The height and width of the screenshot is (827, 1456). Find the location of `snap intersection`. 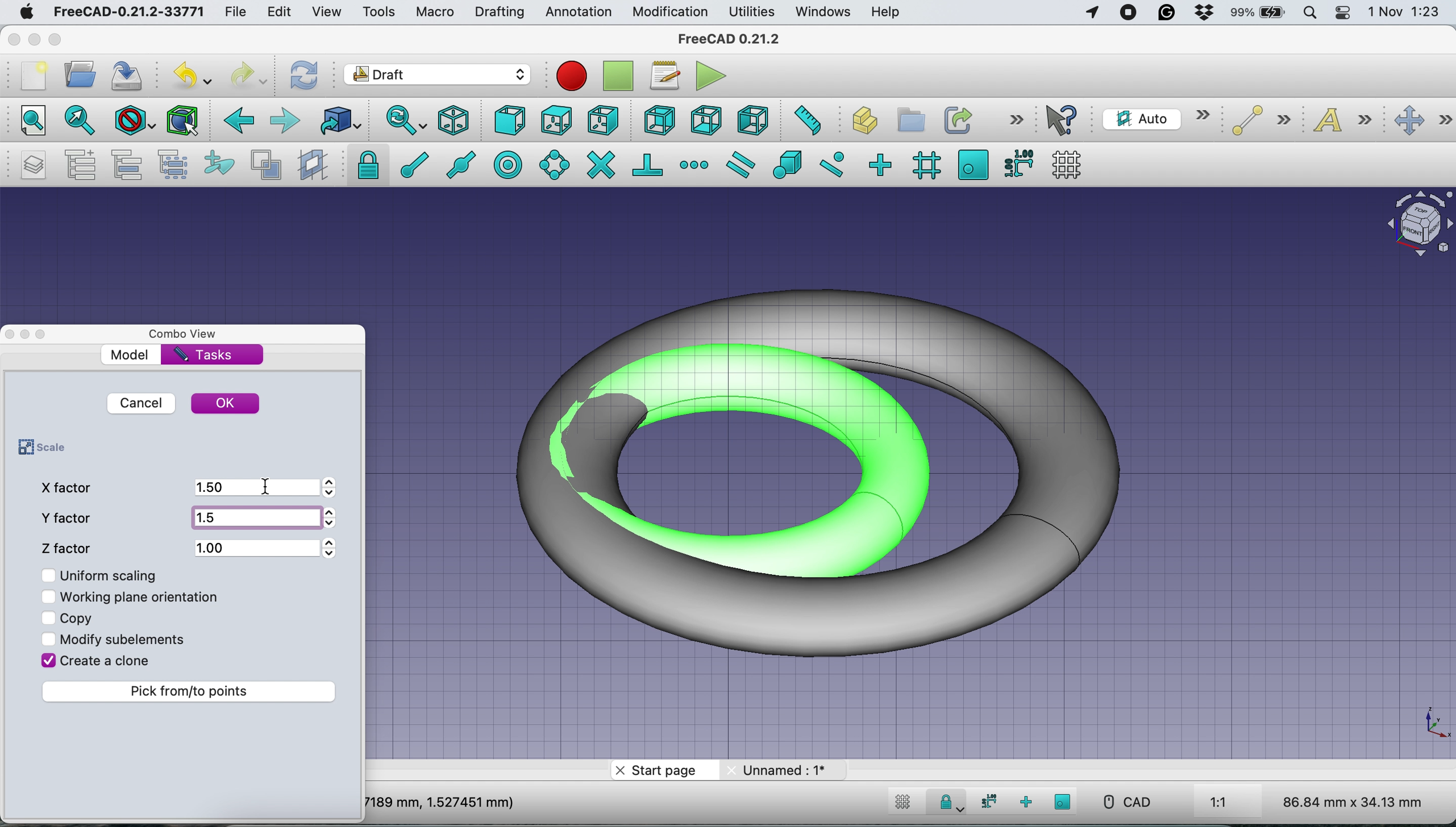

snap intersection is located at coordinates (600, 165).